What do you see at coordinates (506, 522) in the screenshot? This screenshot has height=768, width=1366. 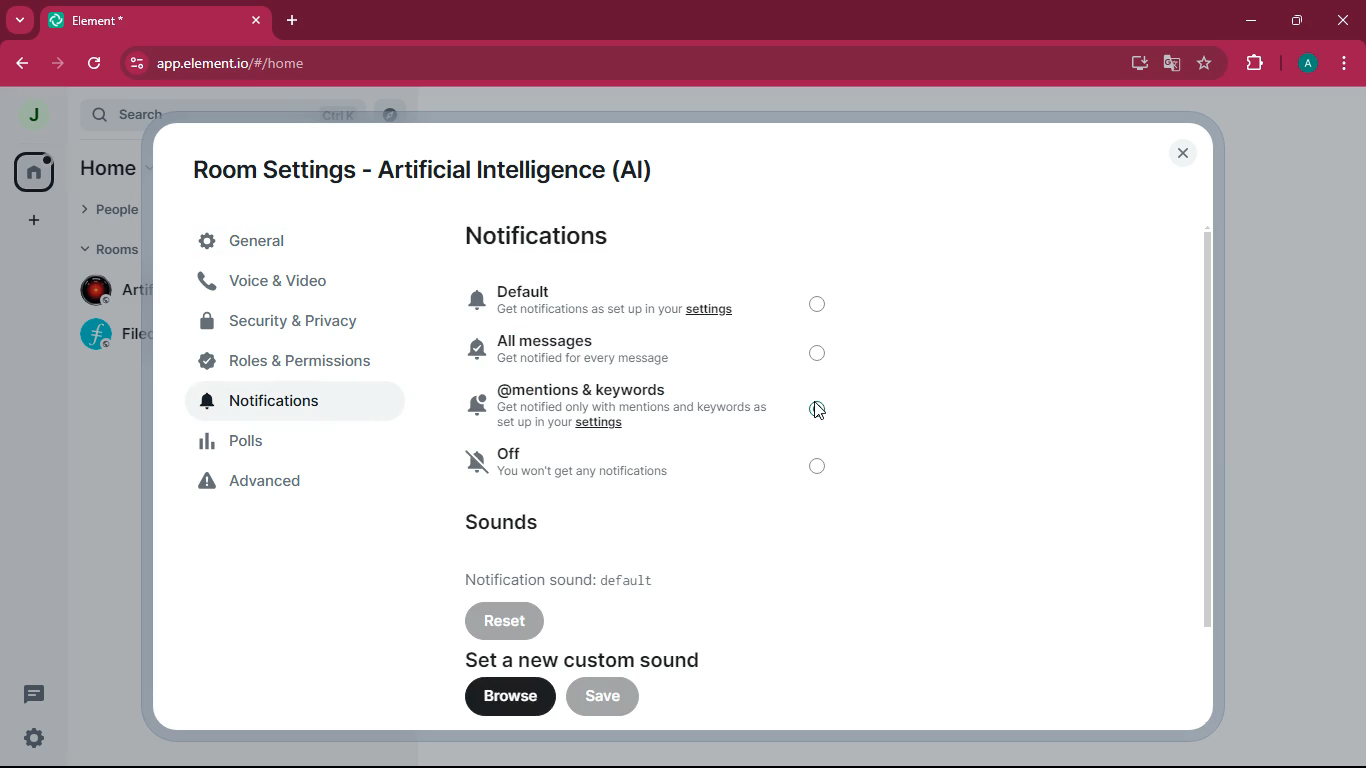 I see `sounds` at bounding box center [506, 522].